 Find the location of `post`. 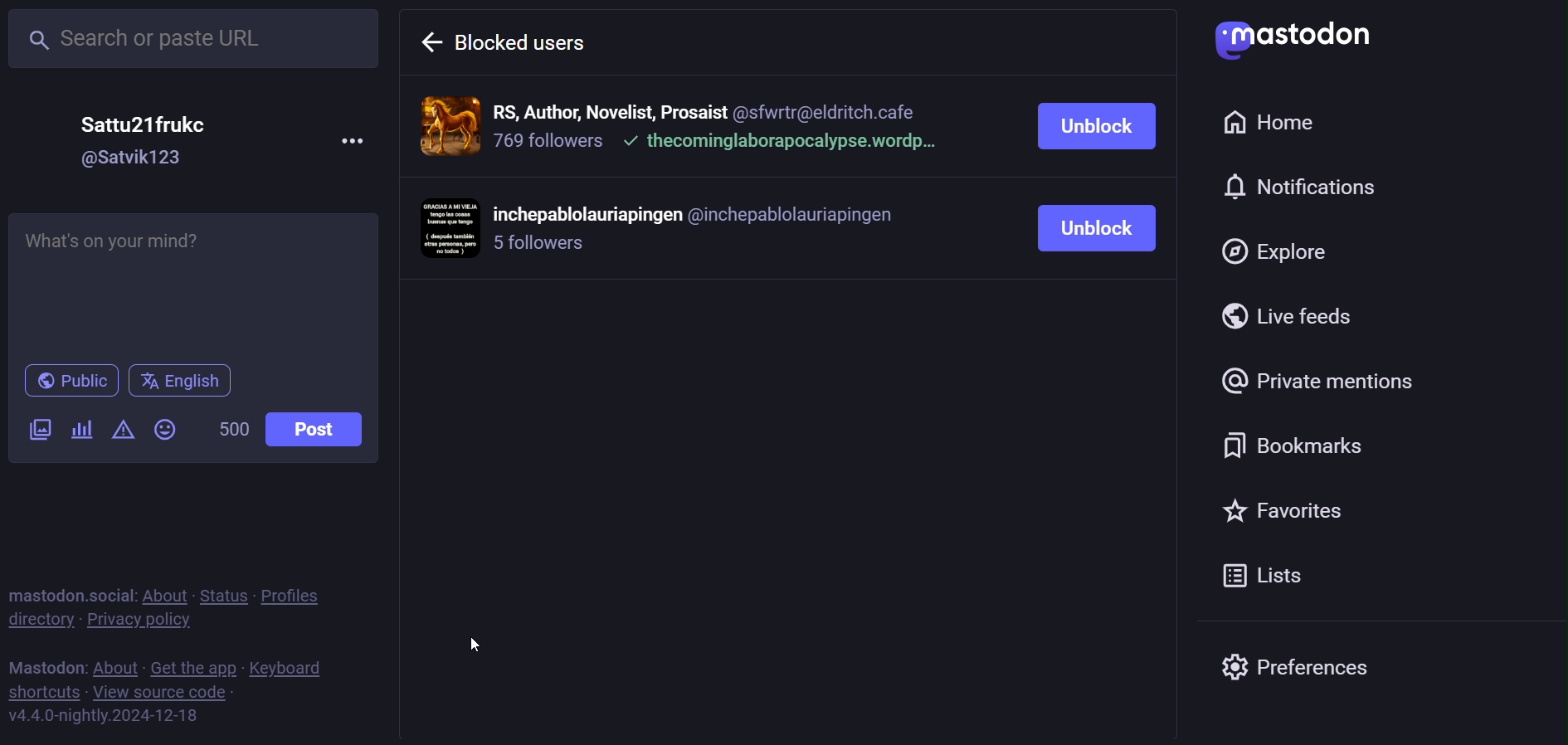

post is located at coordinates (314, 430).